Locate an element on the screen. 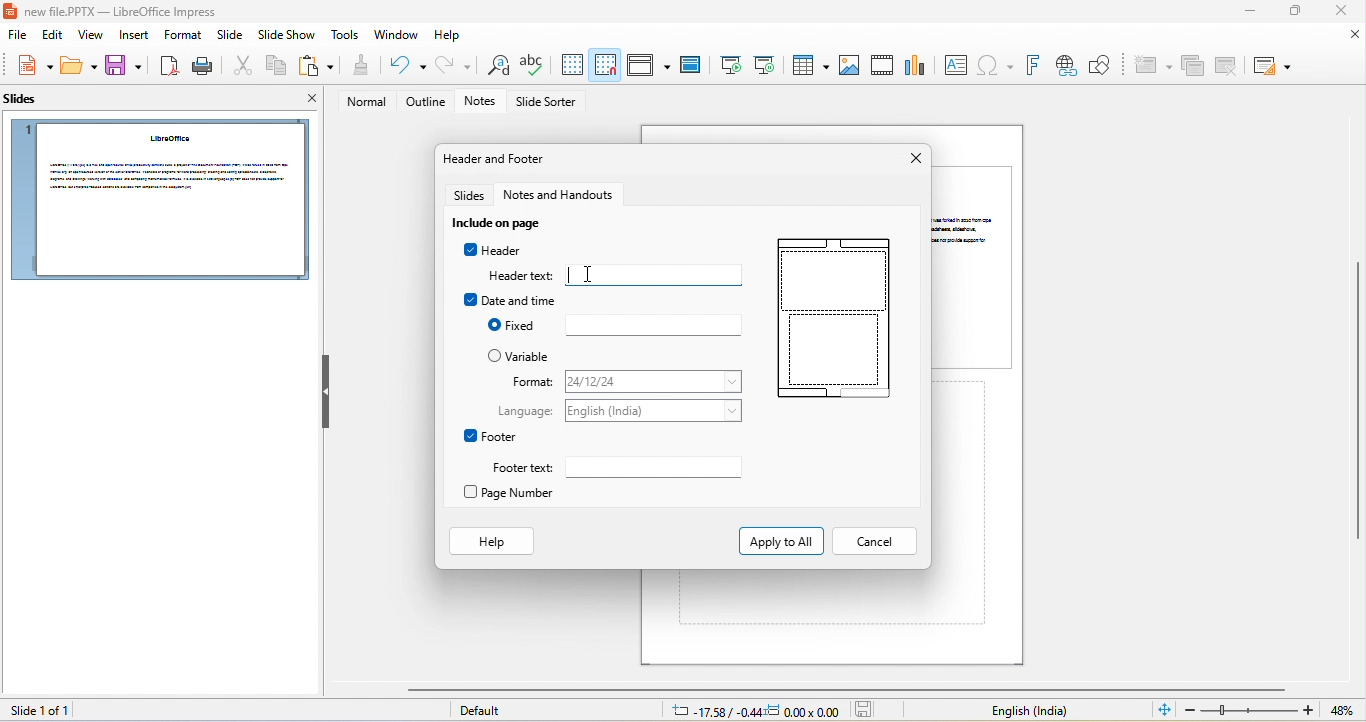 Image resolution: width=1366 pixels, height=722 pixels. text language is located at coordinates (1029, 711).